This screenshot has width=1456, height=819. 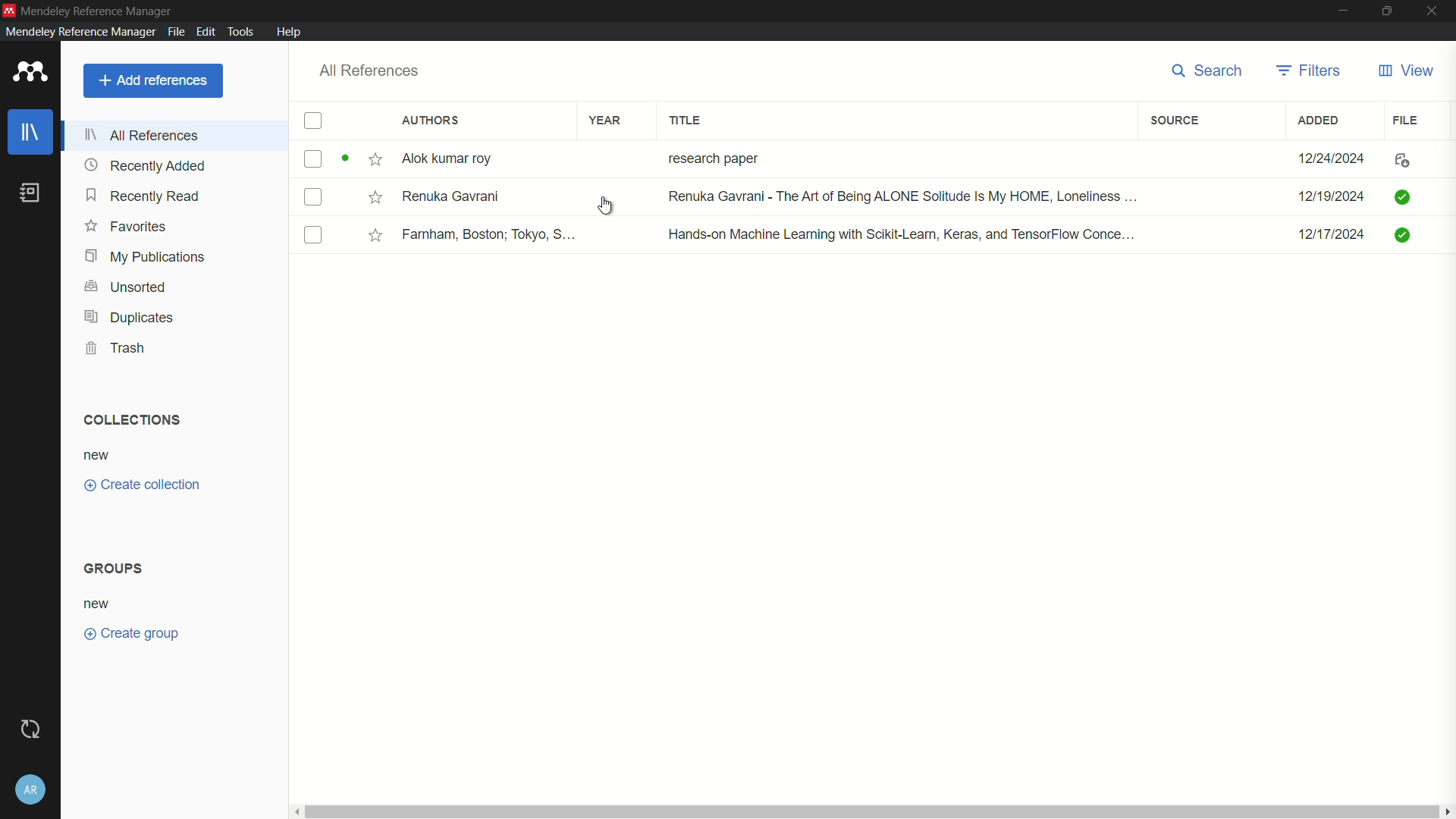 I want to click on book, so click(x=29, y=193).